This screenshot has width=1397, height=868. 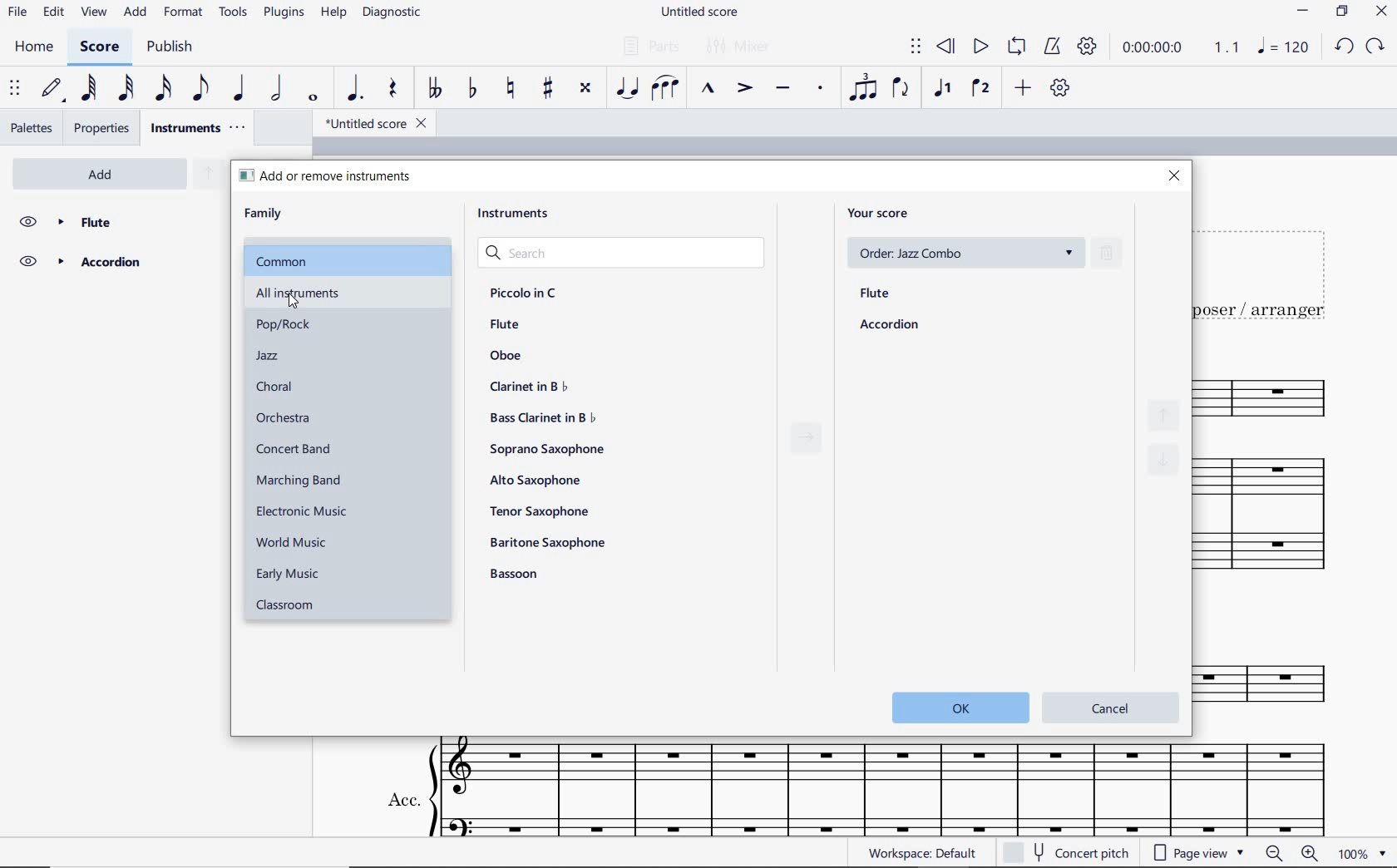 I want to click on instruments, so click(x=196, y=128).